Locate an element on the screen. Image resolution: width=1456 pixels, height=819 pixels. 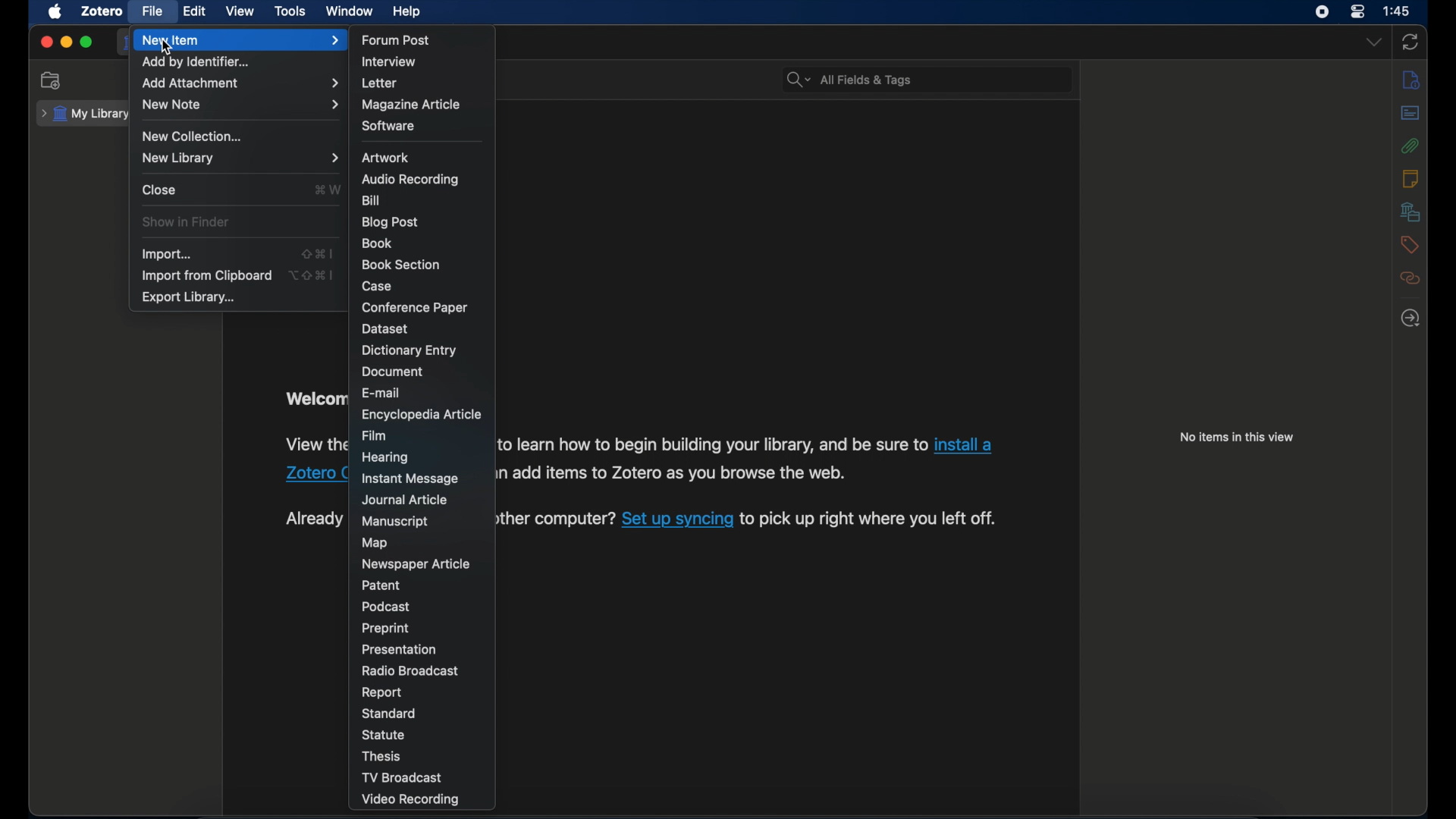
report is located at coordinates (384, 693).